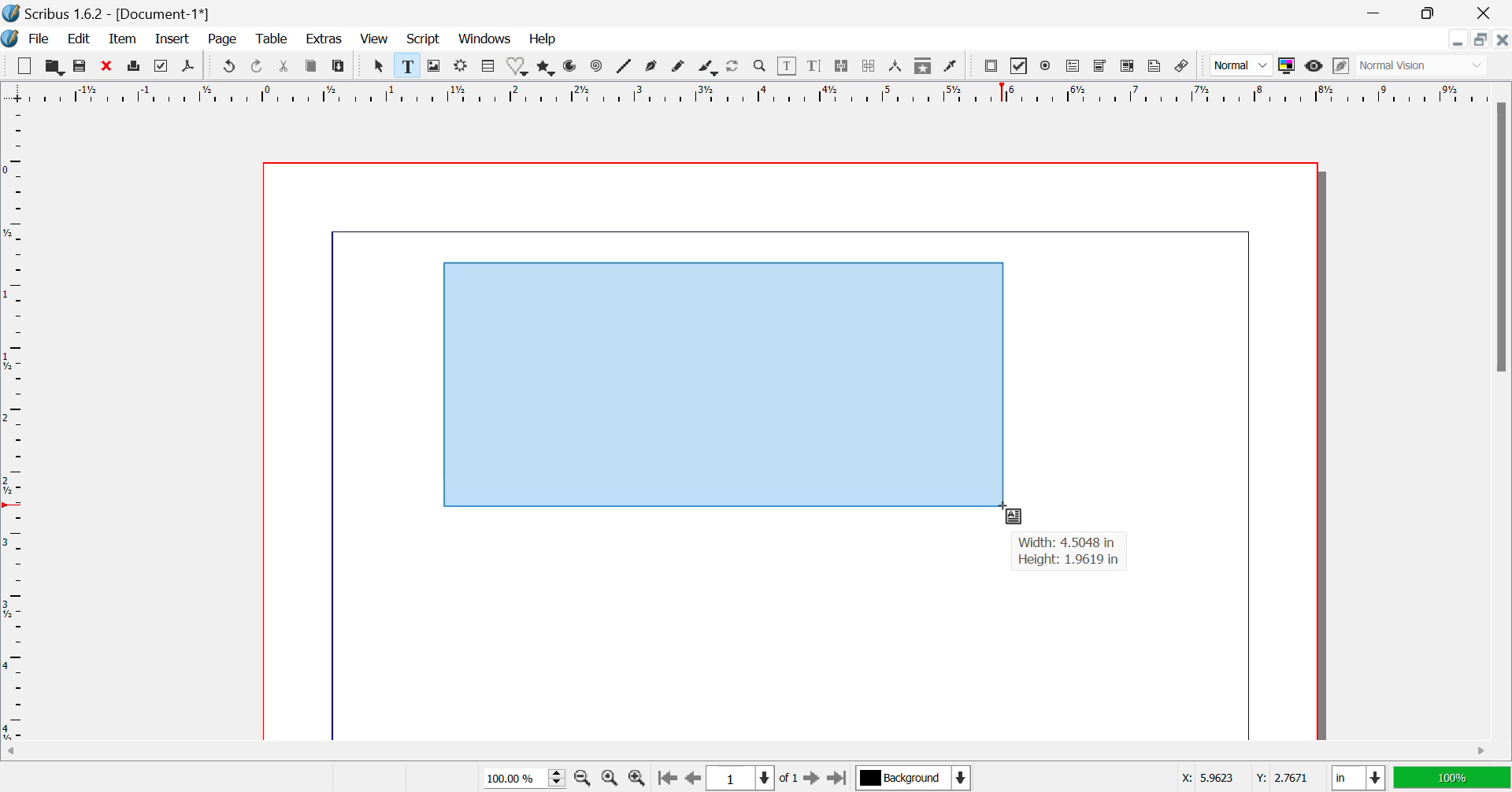 The image size is (1512, 792). What do you see at coordinates (1503, 40) in the screenshot?
I see `Close` at bounding box center [1503, 40].